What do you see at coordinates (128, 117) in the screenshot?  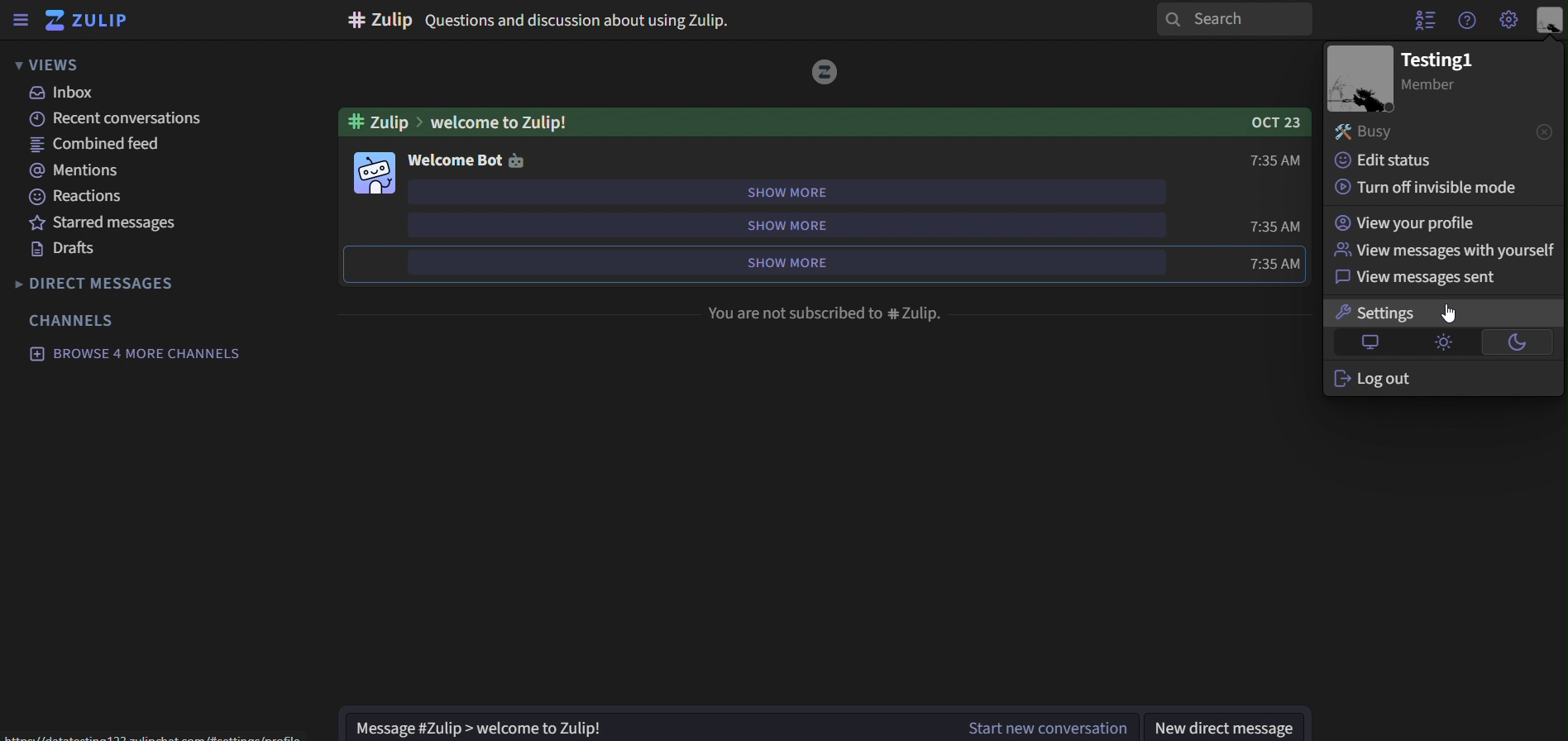 I see `recent conversations` at bounding box center [128, 117].